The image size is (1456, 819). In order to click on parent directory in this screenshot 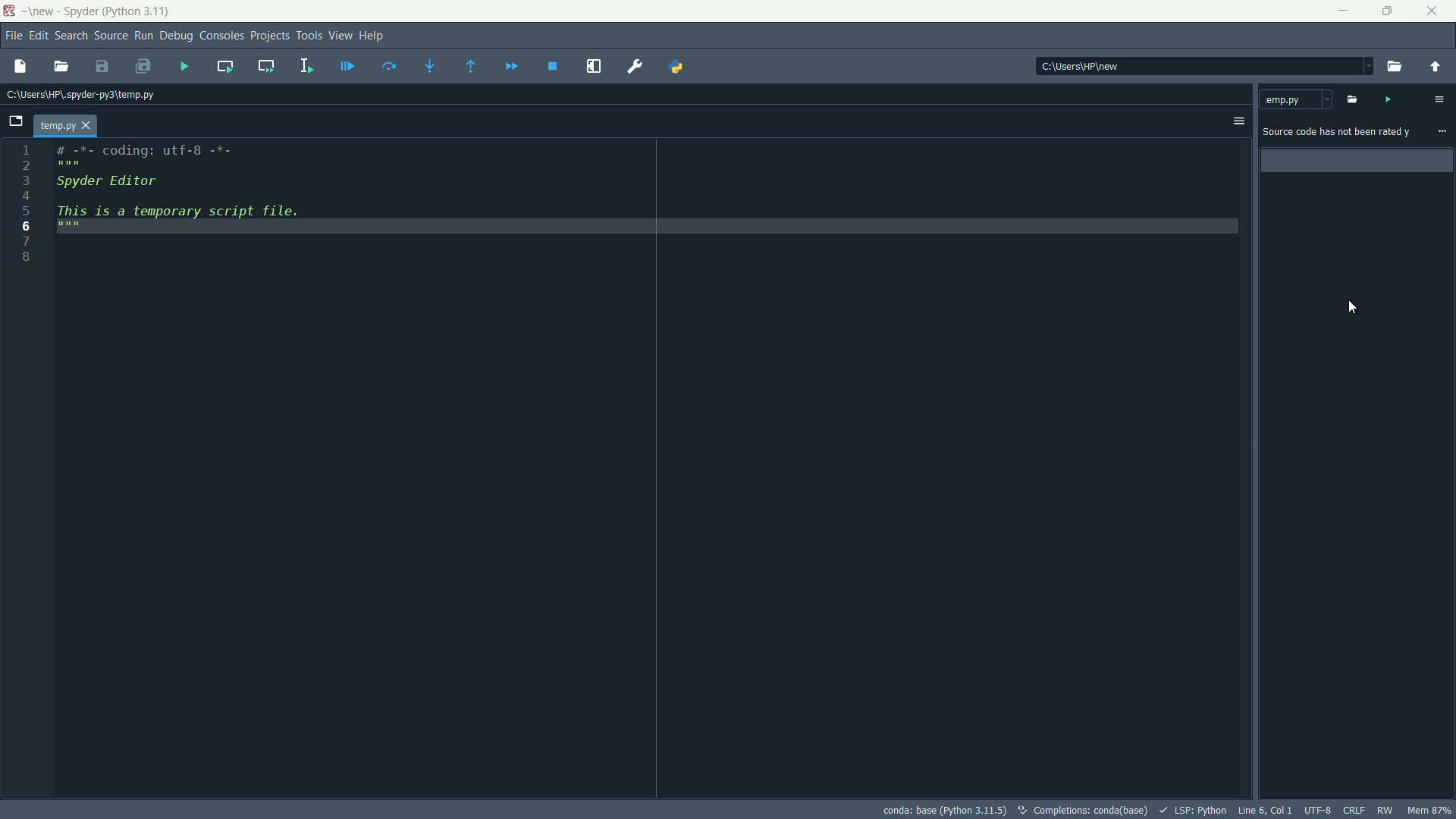, I will do `click(1436, 65)`.